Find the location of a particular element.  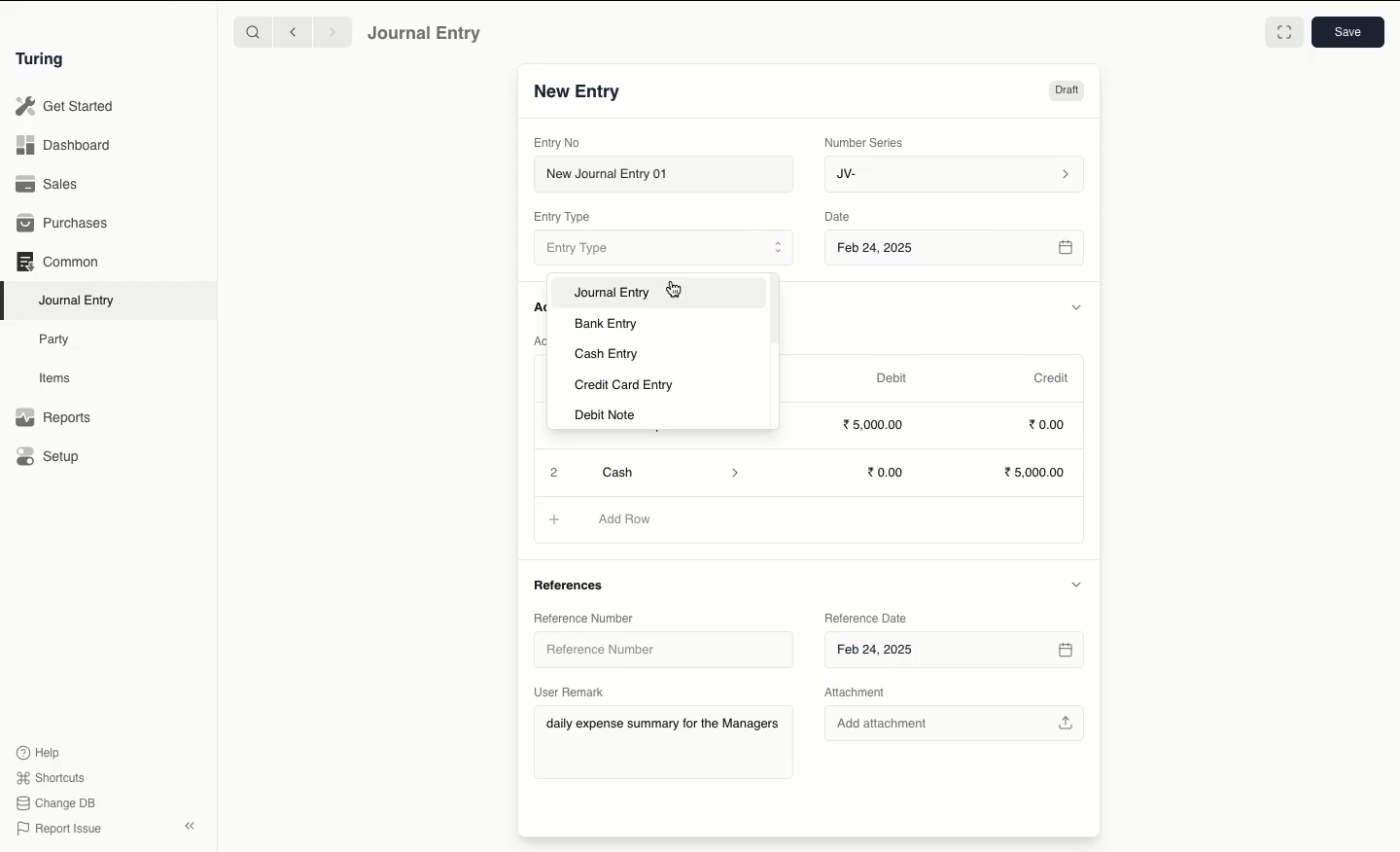

Add Row is located at coordinates (626, 518).